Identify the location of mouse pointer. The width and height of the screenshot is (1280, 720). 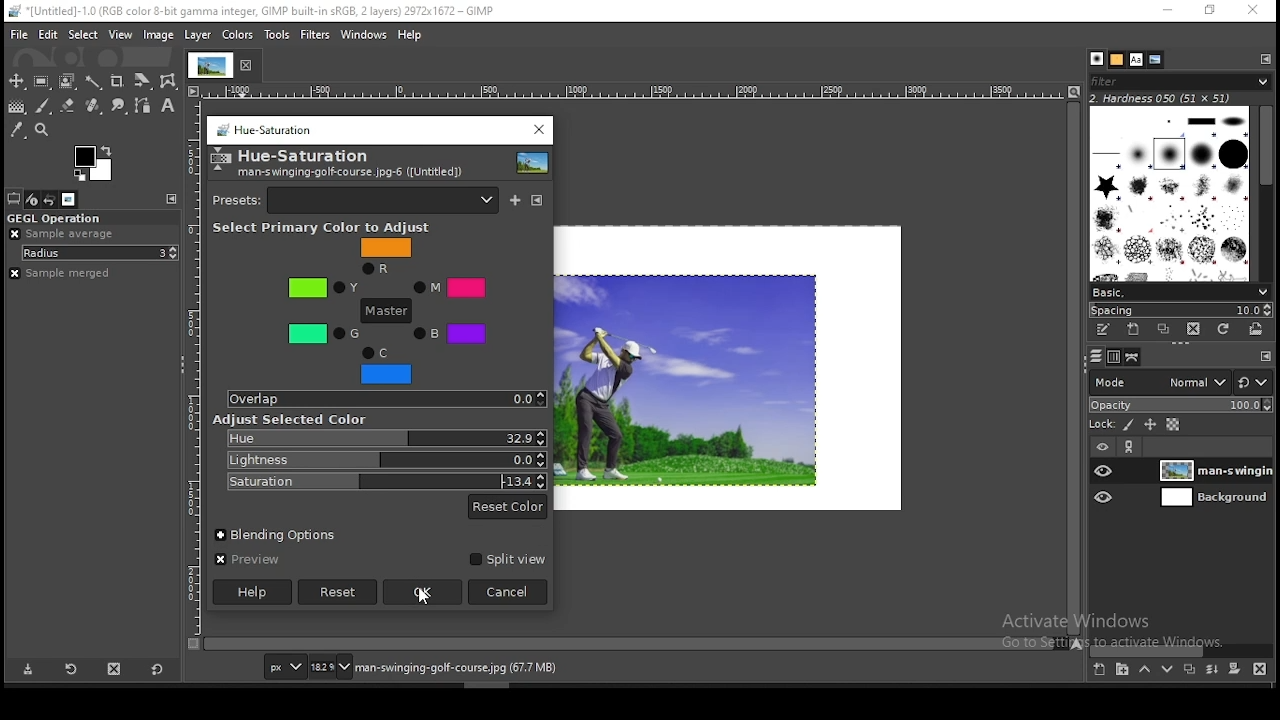
(423, 596).